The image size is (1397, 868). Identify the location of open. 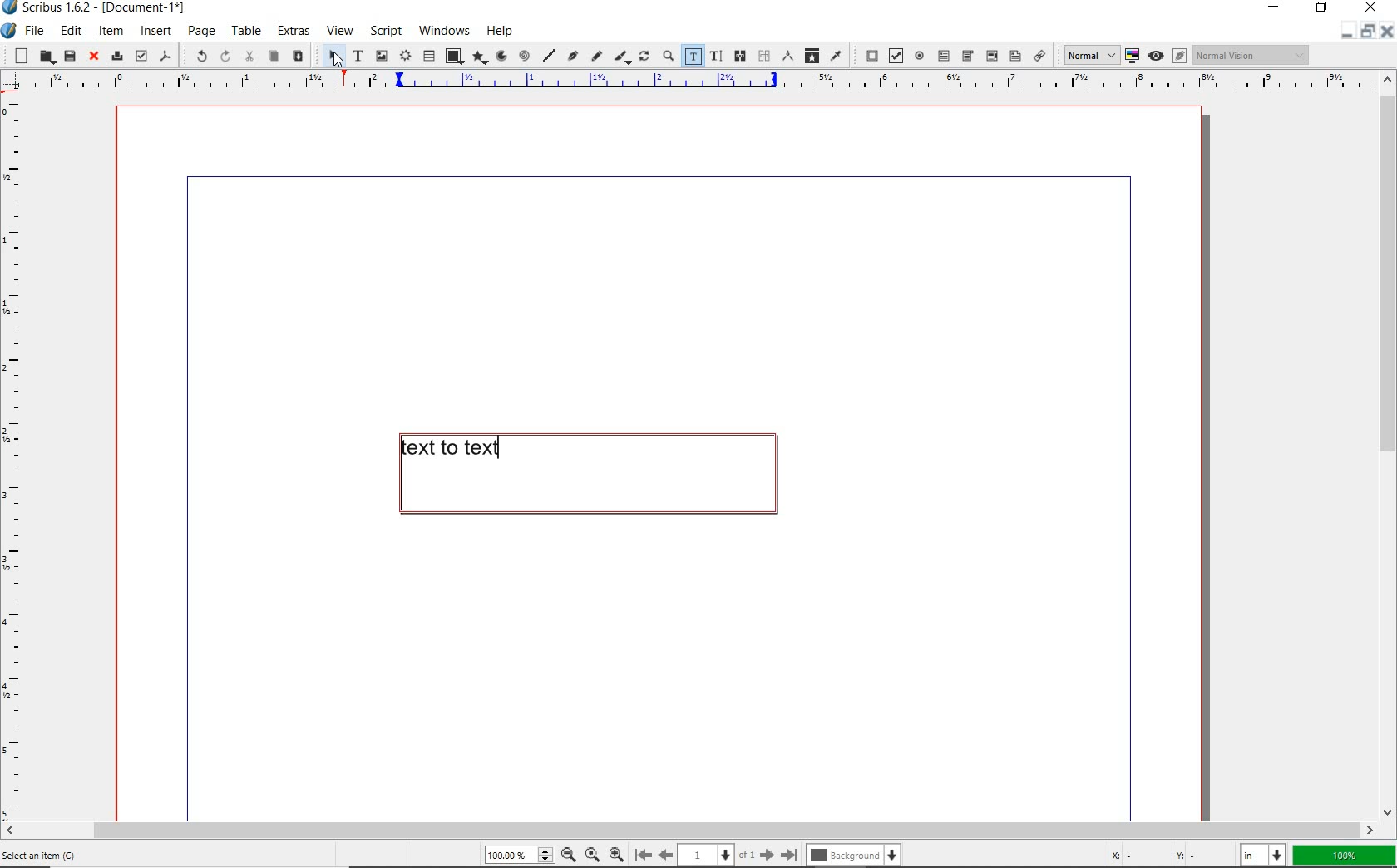
(46, 57).